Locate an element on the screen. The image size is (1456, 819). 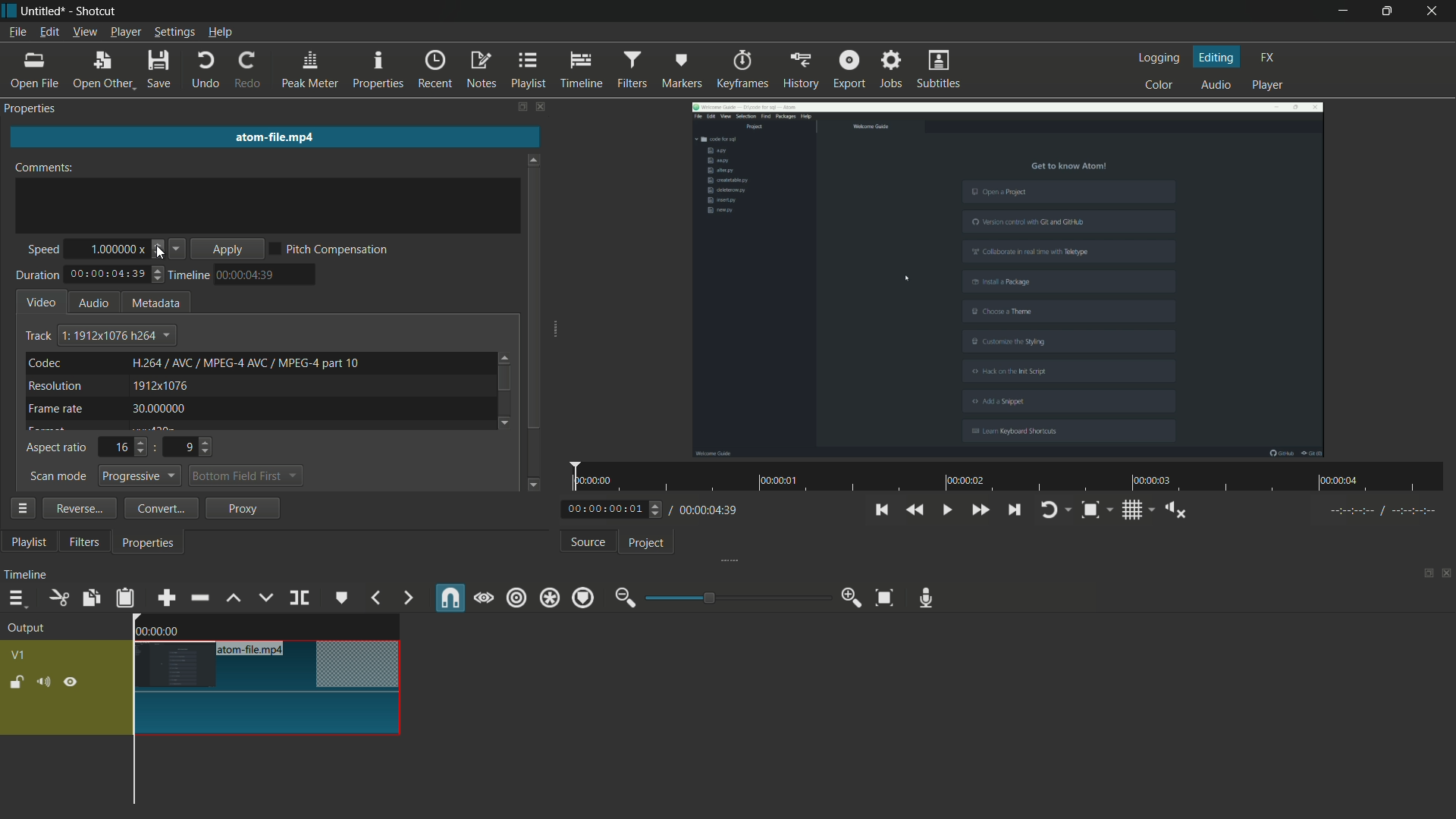
properties is located at coordinates (33, 108).